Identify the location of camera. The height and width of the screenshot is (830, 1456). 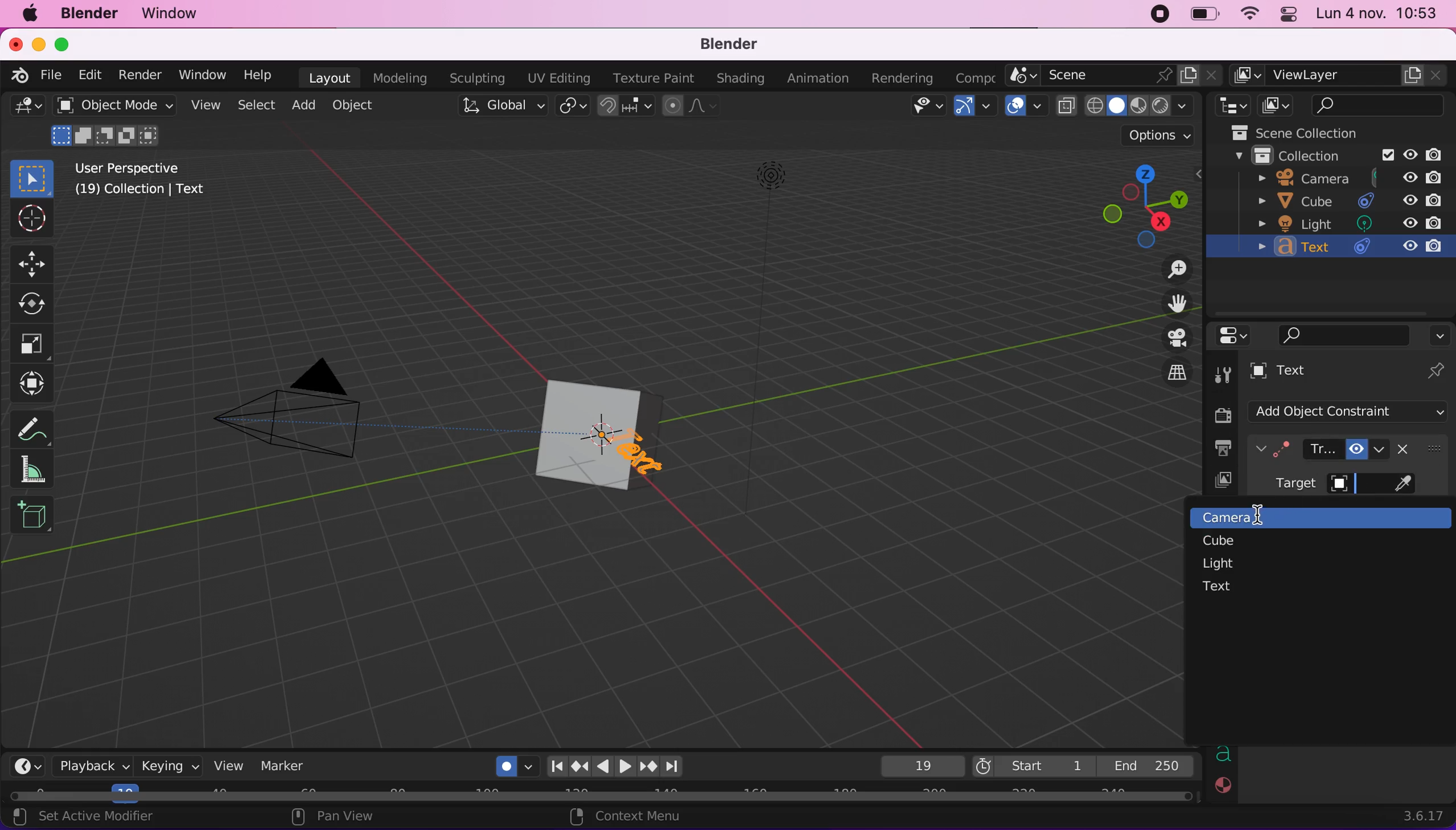
(309, 422).